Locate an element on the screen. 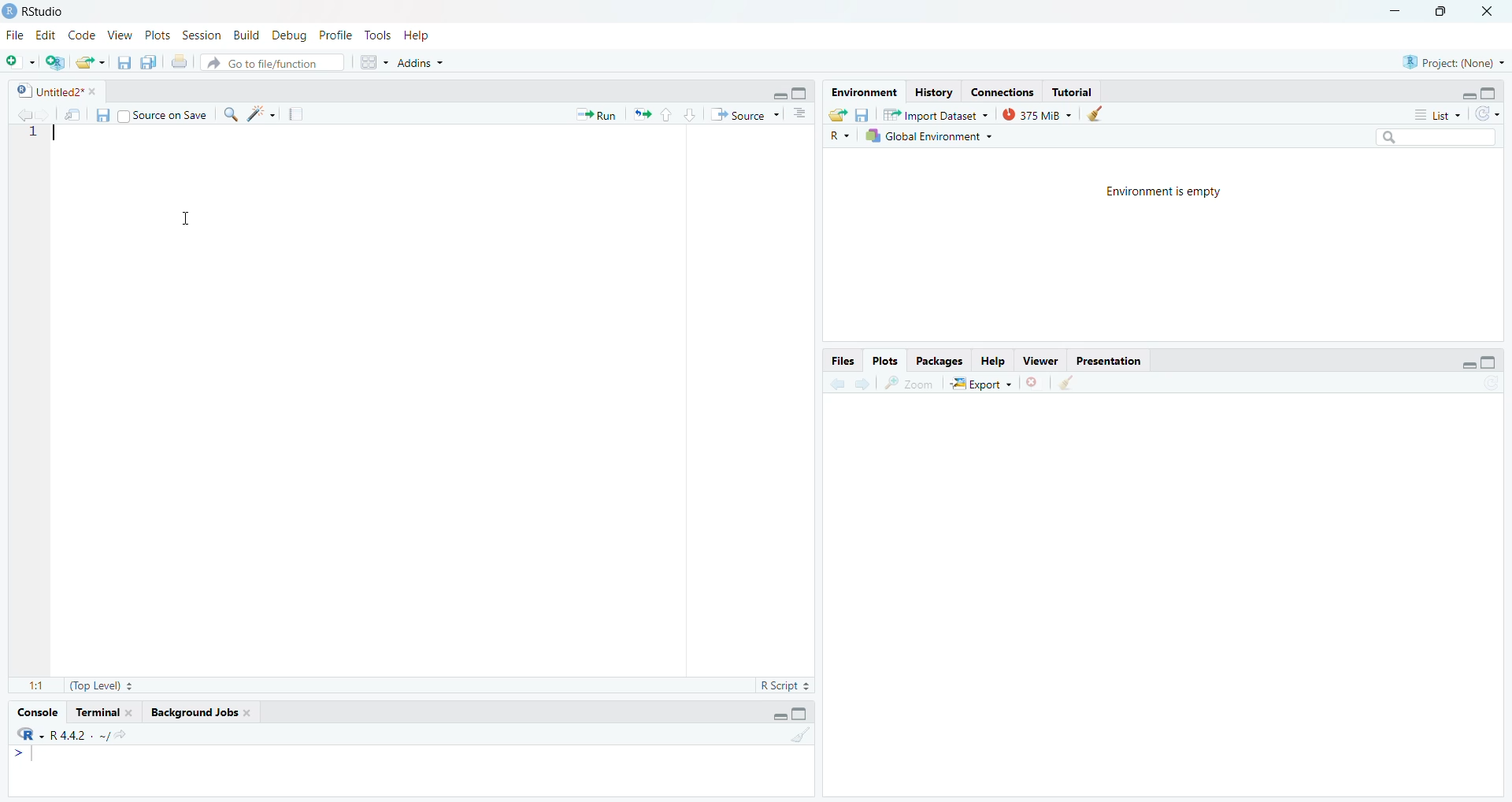  show in new window is located at coordinates (74, 115).